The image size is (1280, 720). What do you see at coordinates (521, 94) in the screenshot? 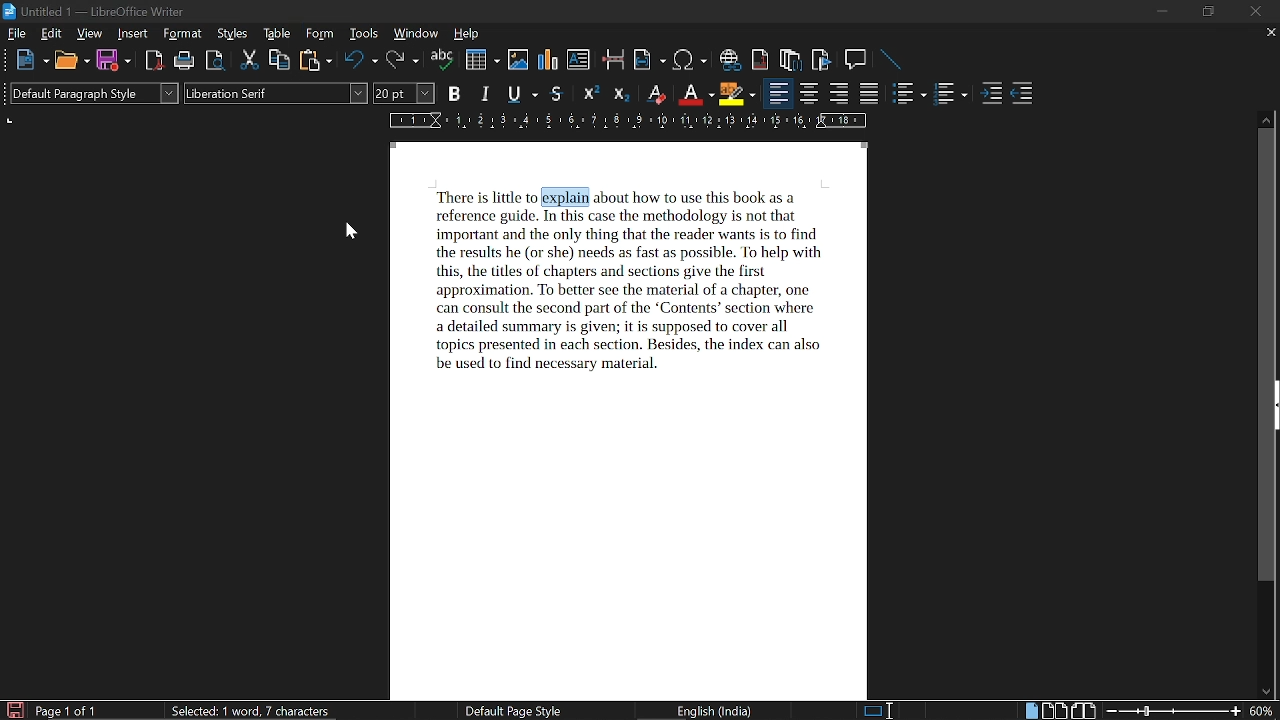
I see `underline` at bounding box center [521, 94].